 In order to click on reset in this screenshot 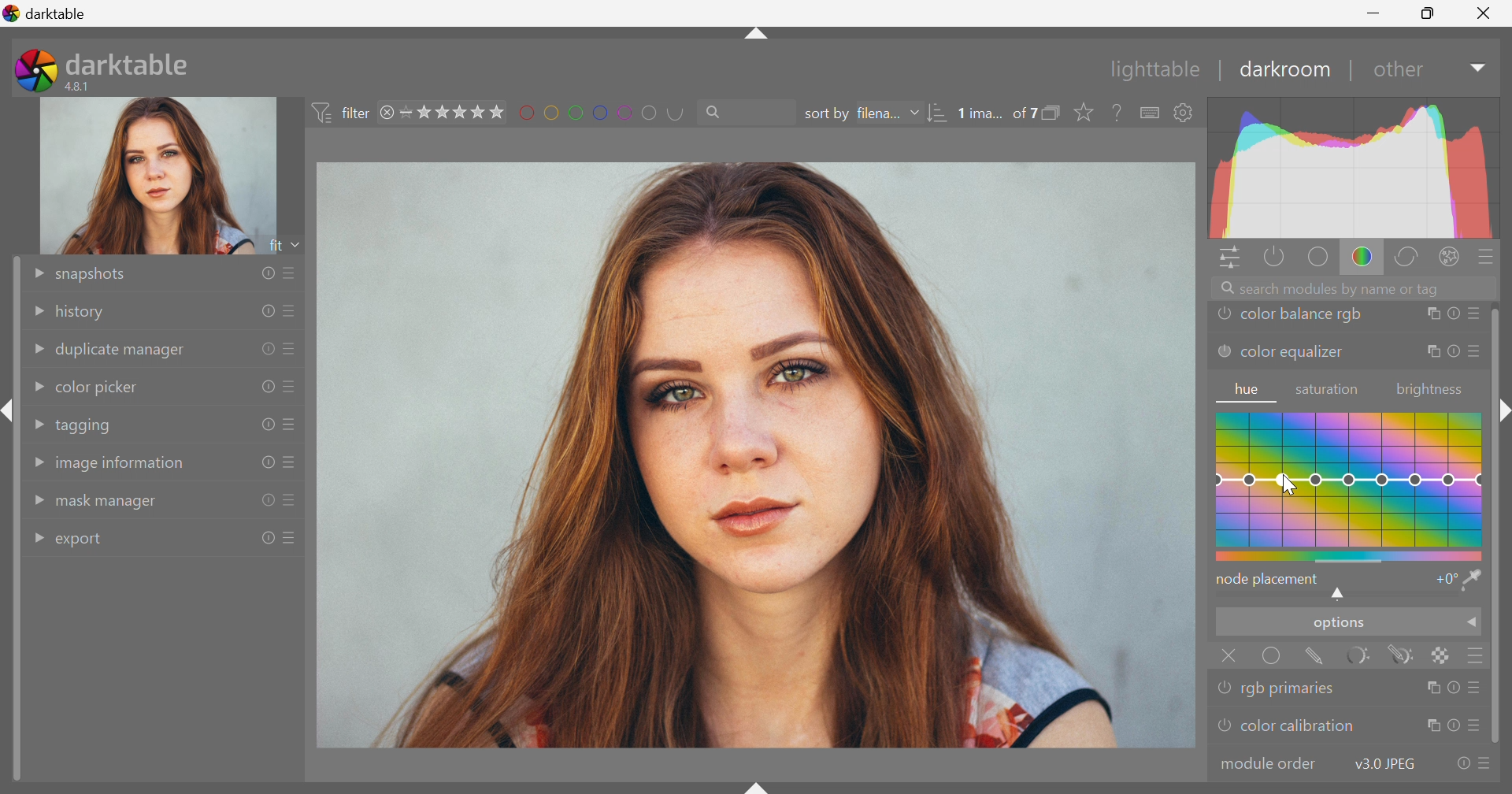, I will do `click(267, 309)`.